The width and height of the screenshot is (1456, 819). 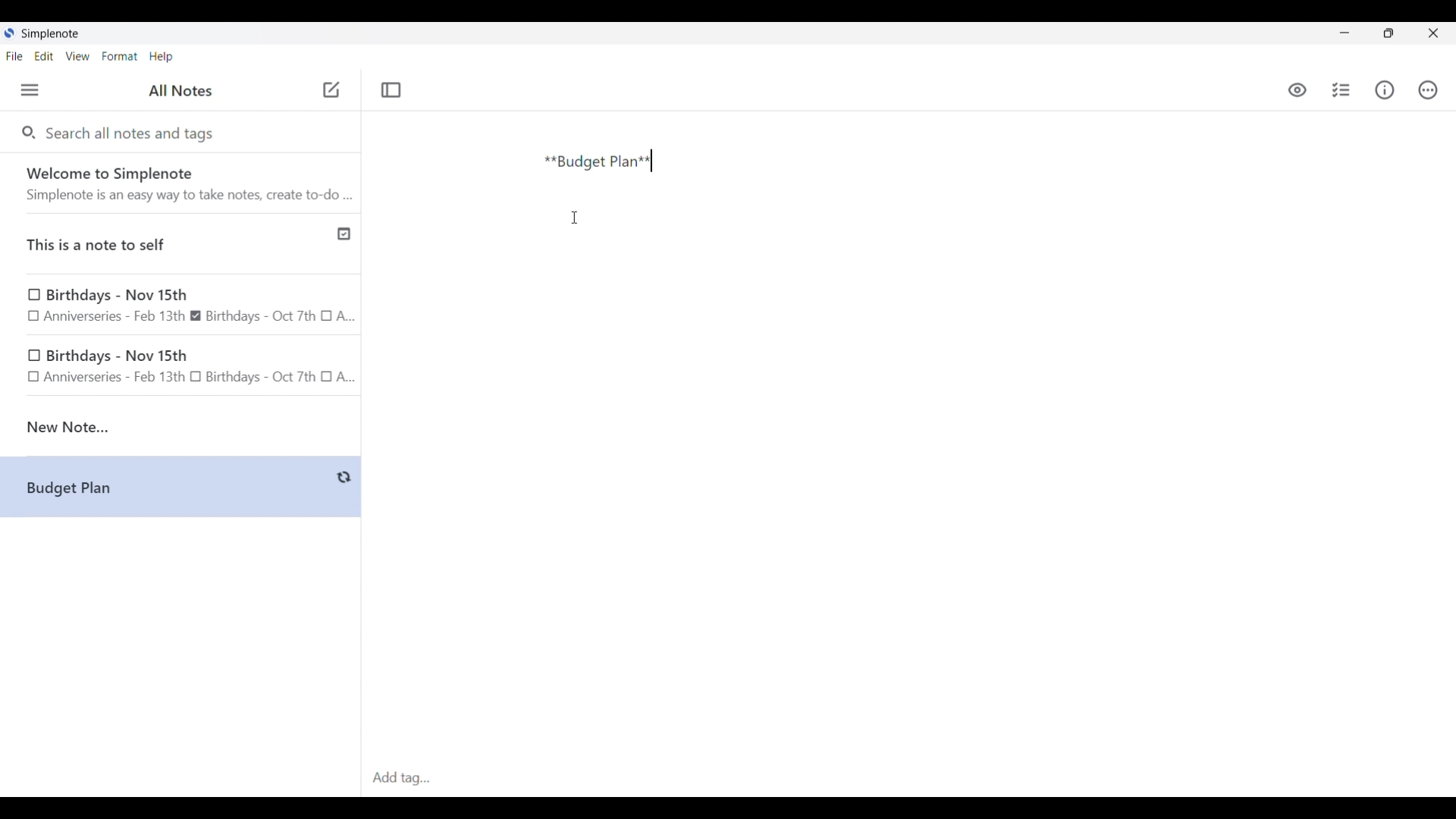 I want to click on birthday note, so click(x=182, y=369).